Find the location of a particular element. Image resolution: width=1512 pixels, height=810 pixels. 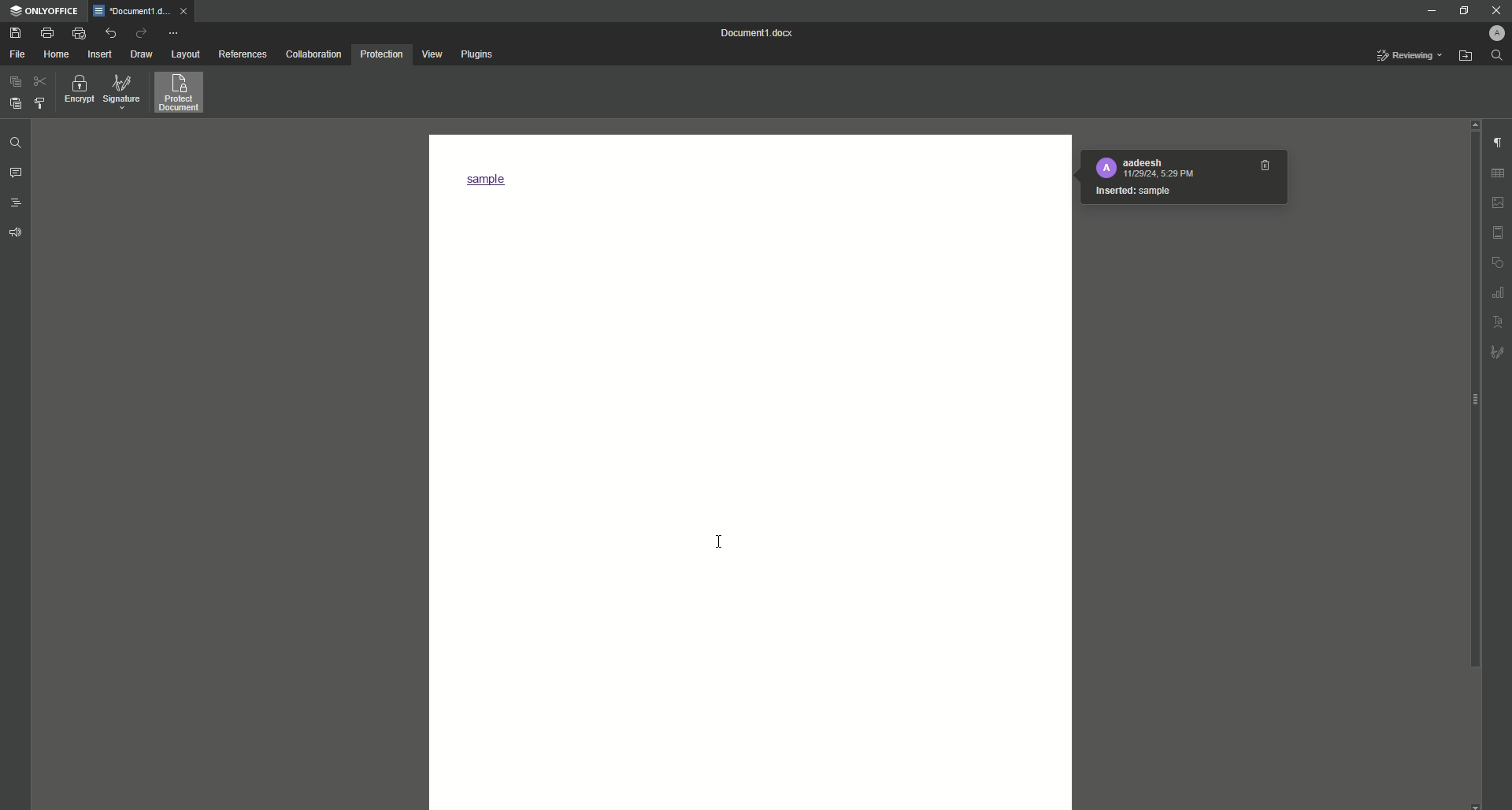

Collaboration is located at coordinates (312, 54).